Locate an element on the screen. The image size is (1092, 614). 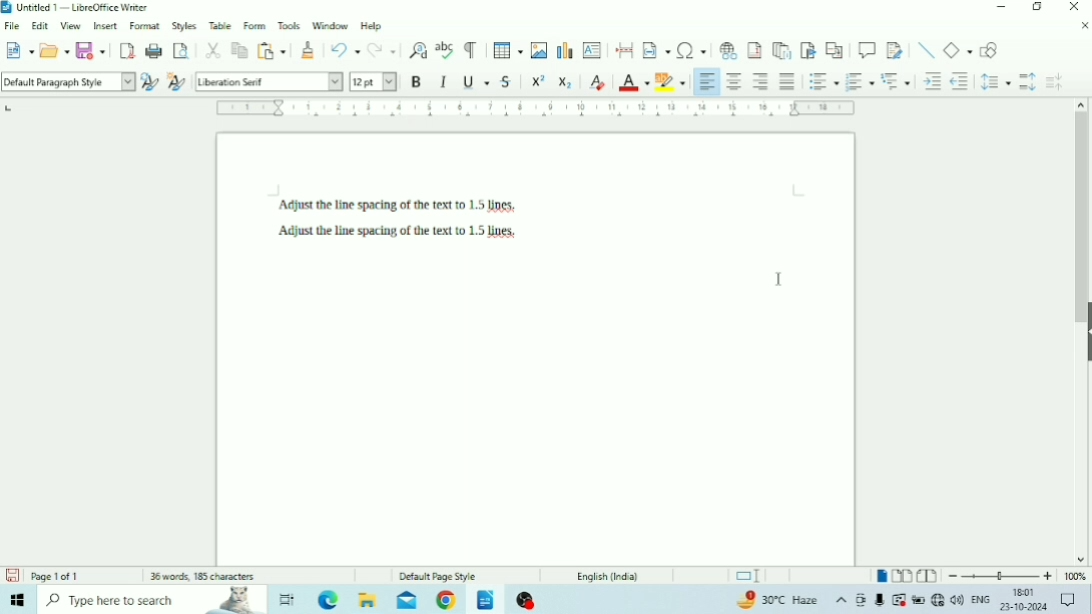
Cursor is located at coordinates (779, 281).